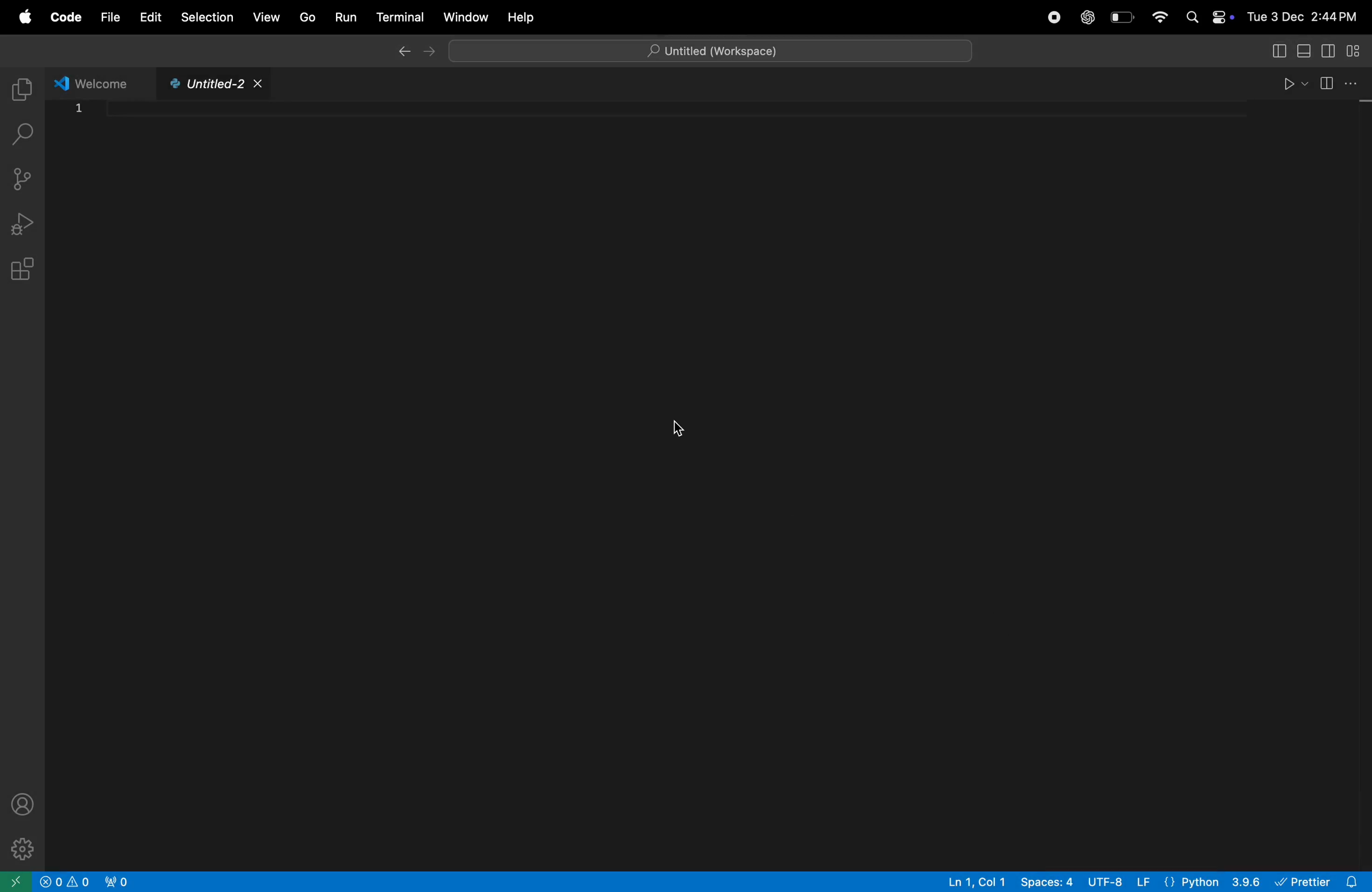 Image resolution: width=1372 pixels, height=892 pixels. What do you see at coordinates (1338, 82) in the screenshot?
I see `split editor` at bounding box center [1338, 82].